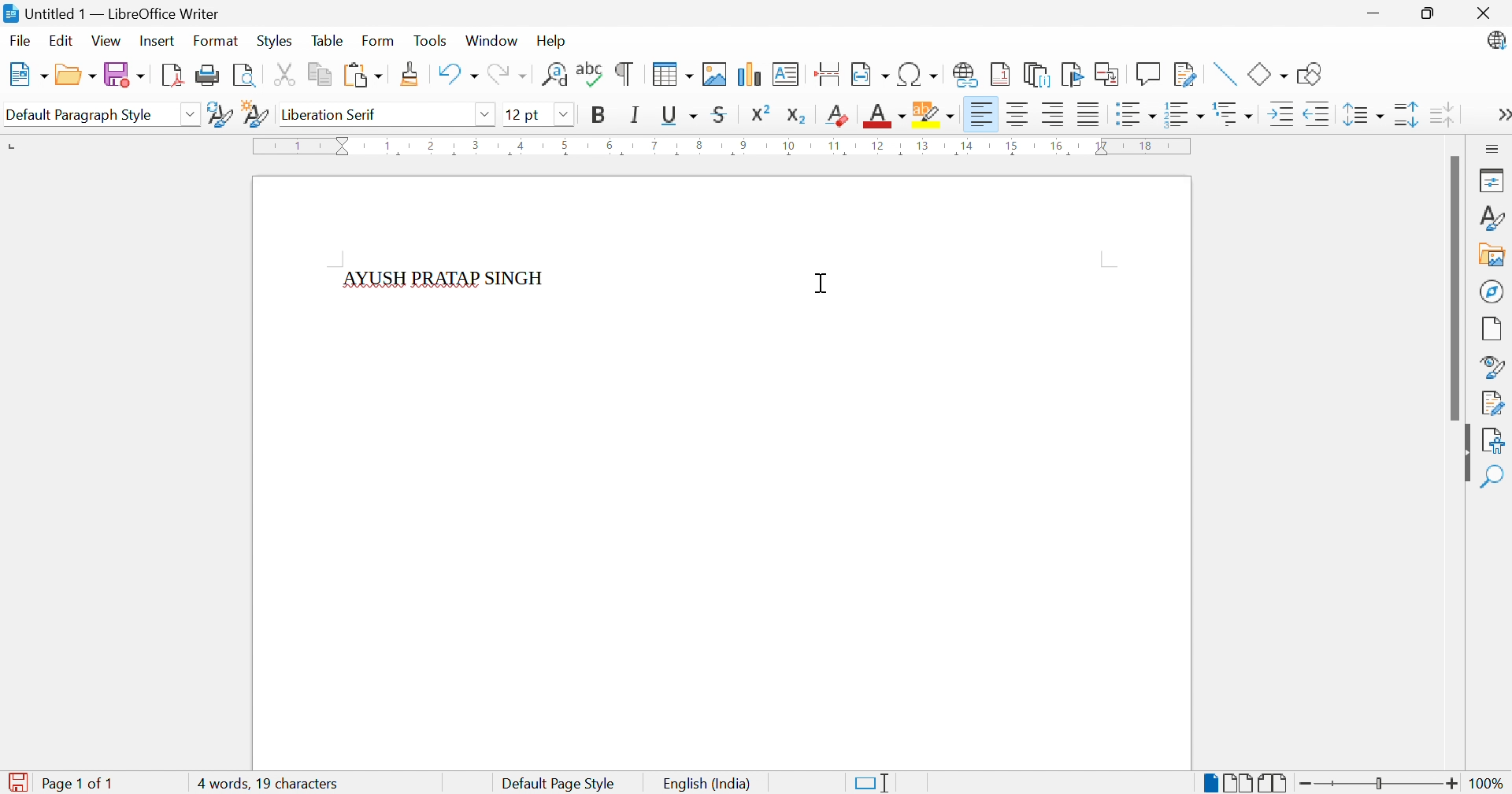  Describe the element at coordinates (561, 782) in the screenshot. I see `Default Page Style` at that location.